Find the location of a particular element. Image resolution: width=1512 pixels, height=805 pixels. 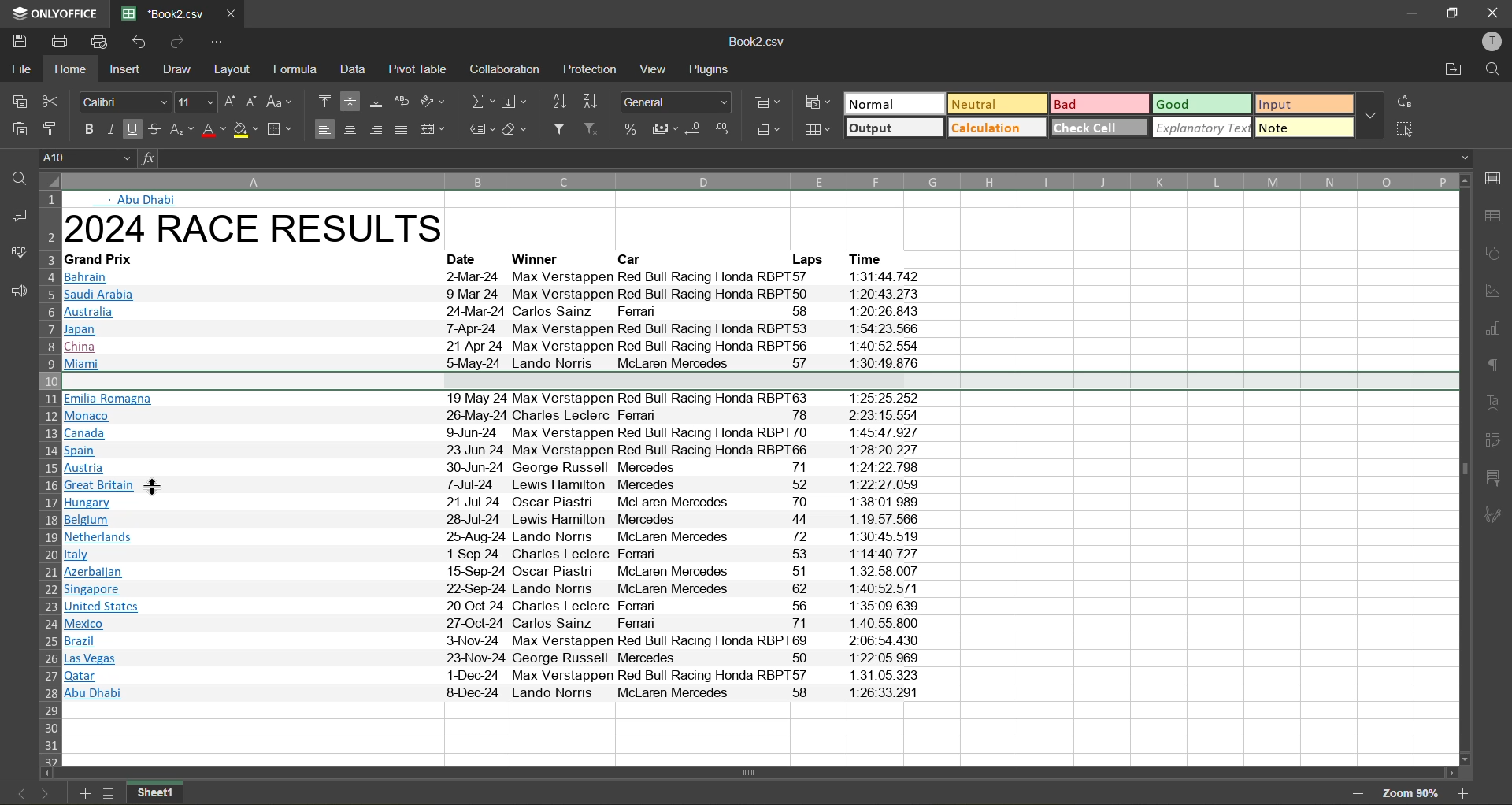

Brazil 33-Nov-24 Max Verstappen Red Bull Racing Honda RBPT69 2:06:54 430 is located at coordinates (493, 642).